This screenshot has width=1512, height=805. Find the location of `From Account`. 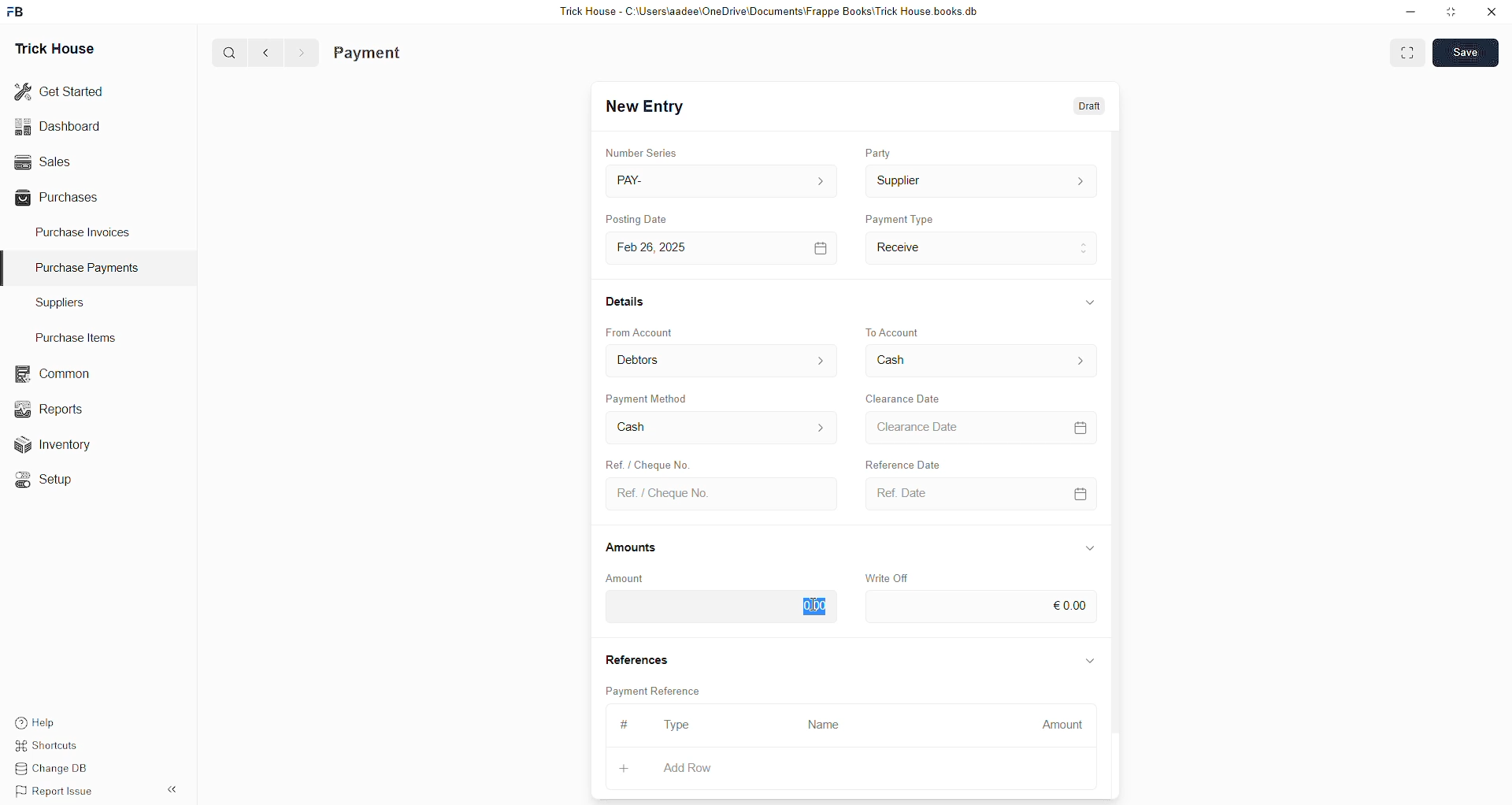

From Account is located at coordinates (723, 360).